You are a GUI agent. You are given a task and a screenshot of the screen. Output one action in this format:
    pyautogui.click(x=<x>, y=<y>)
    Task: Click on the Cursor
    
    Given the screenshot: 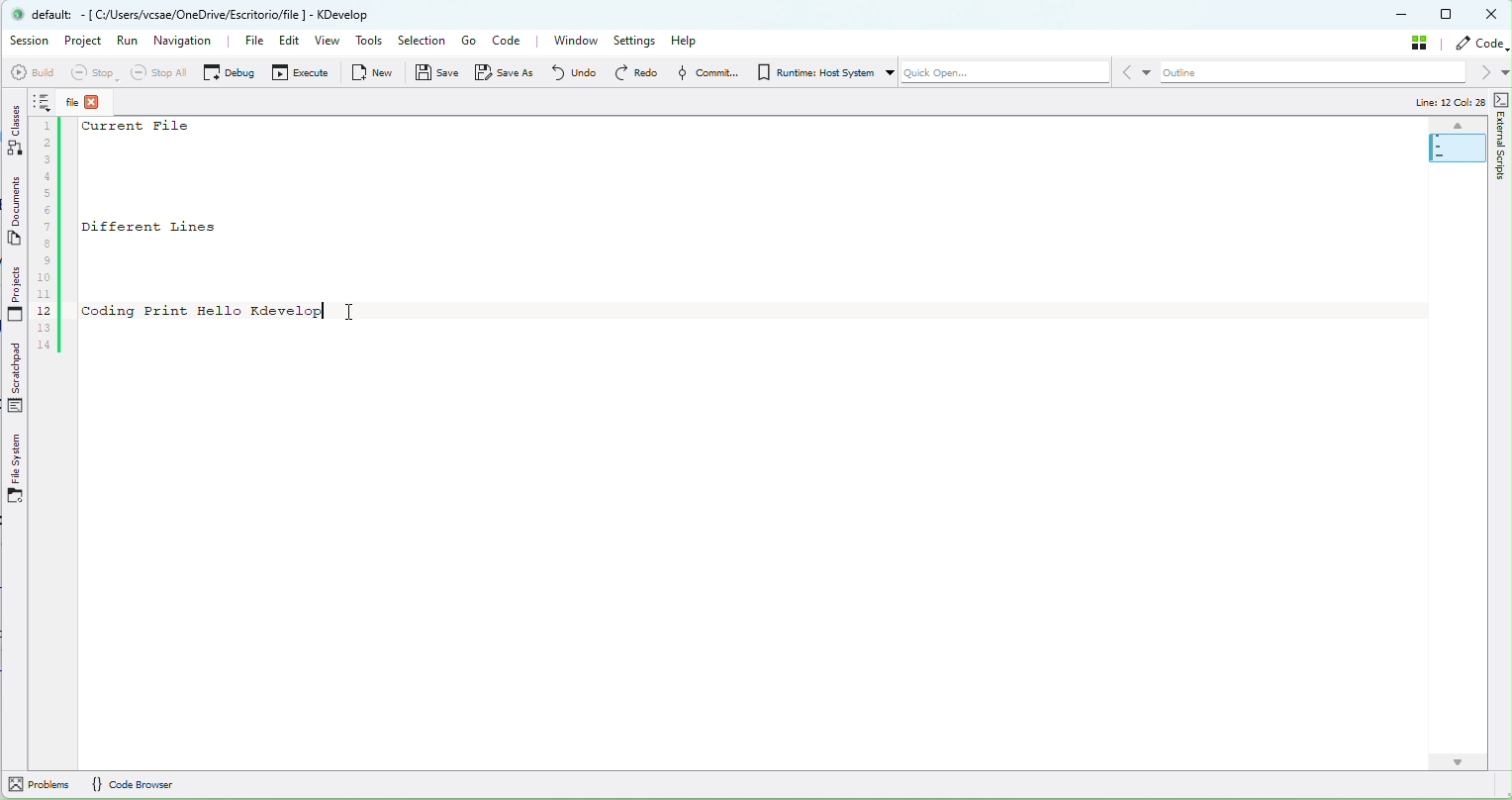 What is the action you would take?
    pyautogui.click(x=355, y=310)
    